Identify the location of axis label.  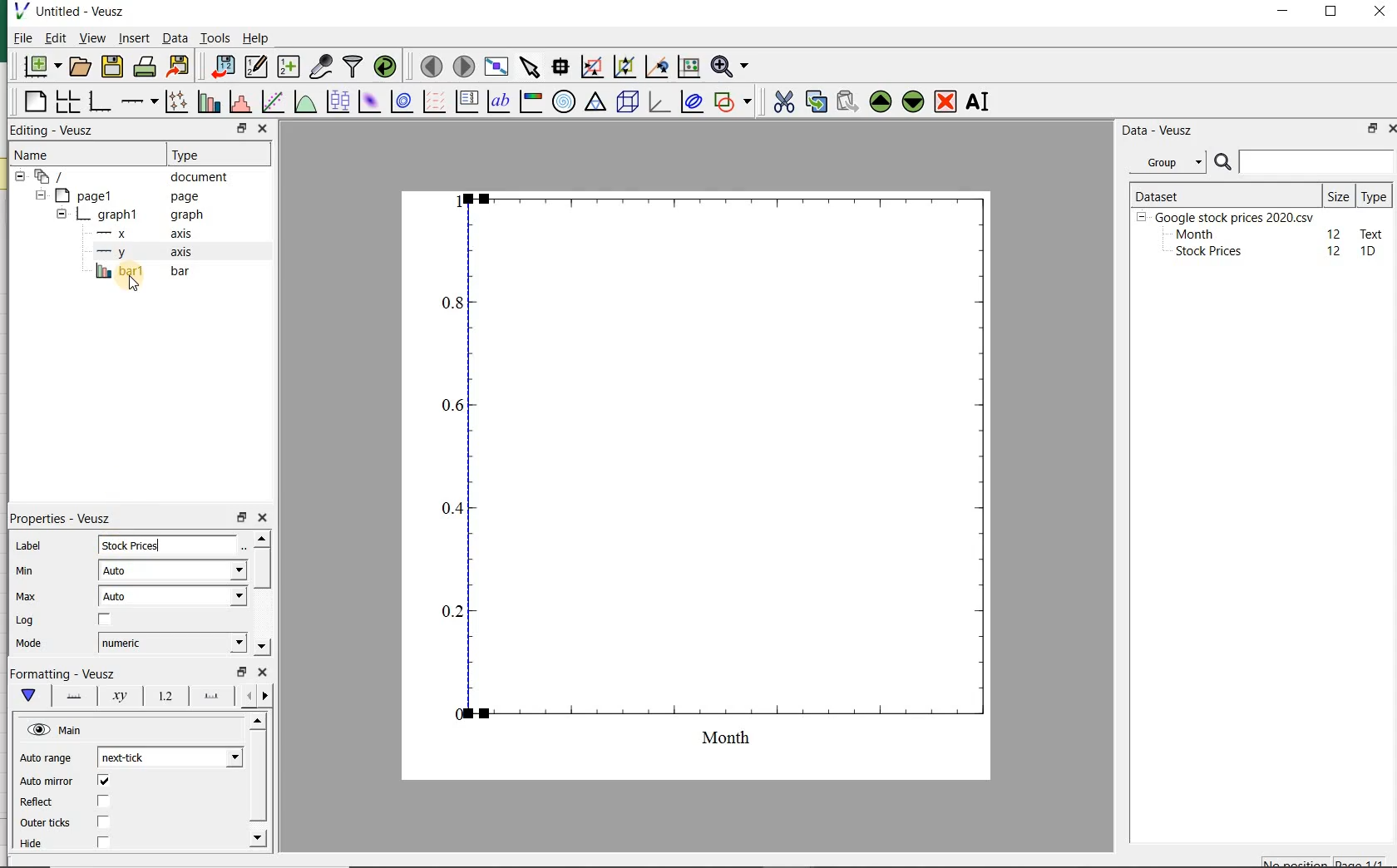
(121, 696).